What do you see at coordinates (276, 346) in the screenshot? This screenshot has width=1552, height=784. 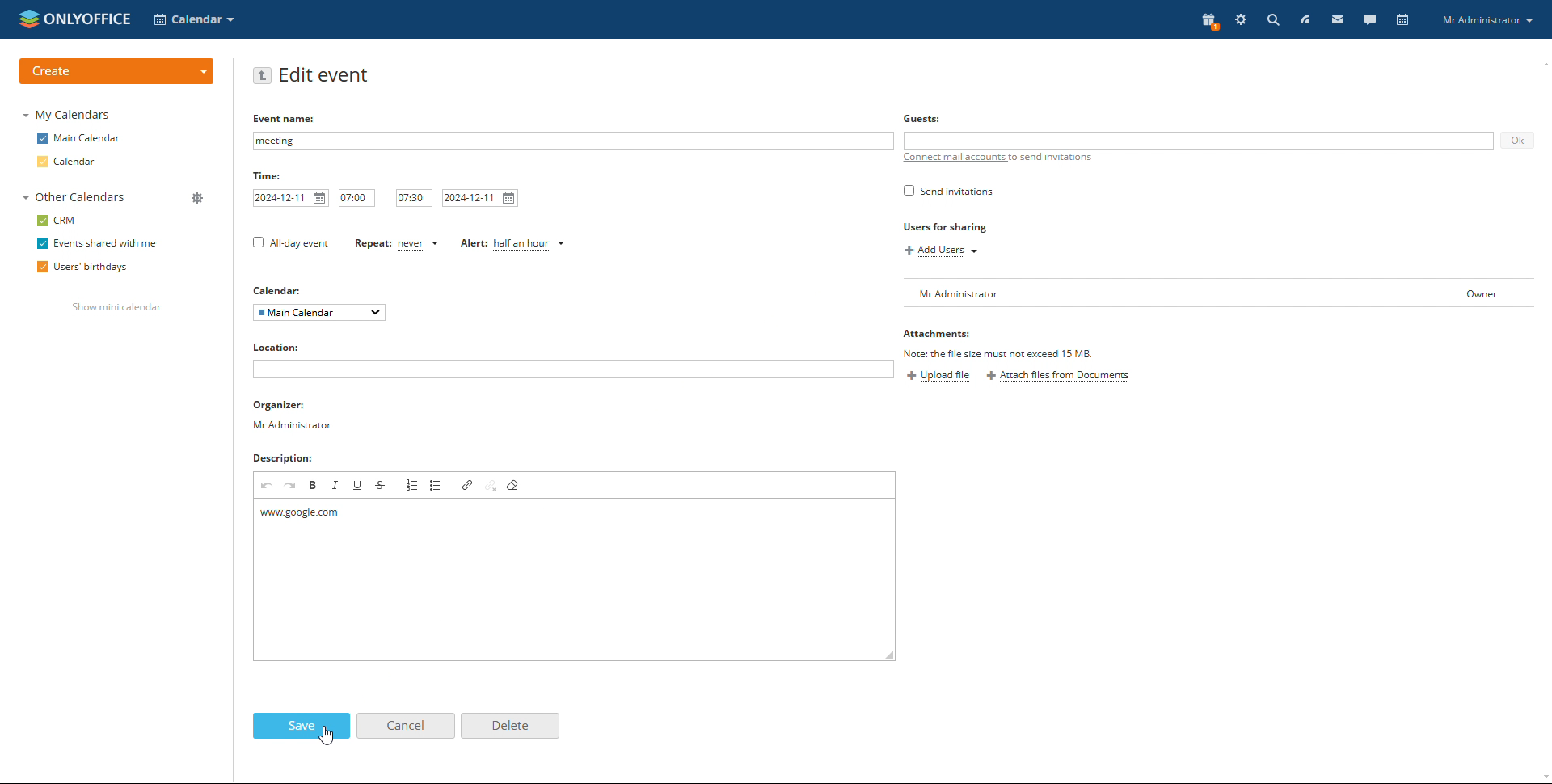 I see `Location:` at bounding box center [276, 346].